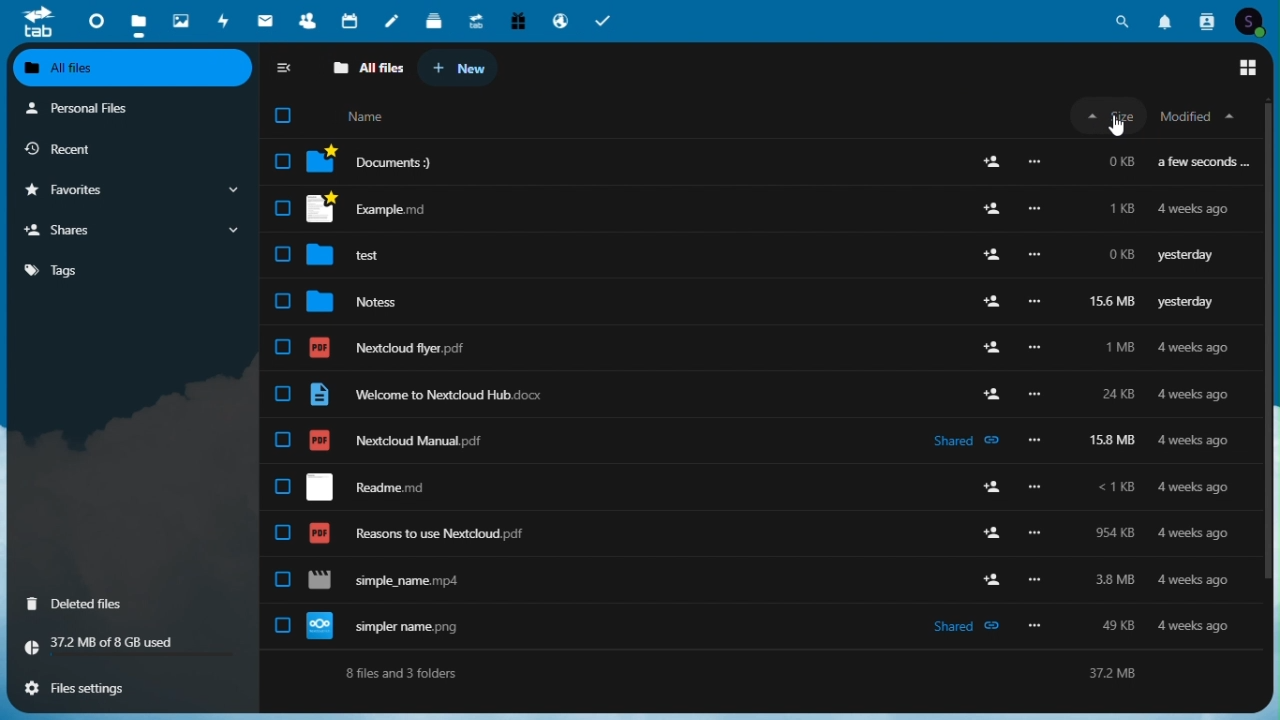 The height and width of the screenshot is (720, 1280). What do you see at coordinates (1270, 339) in the screenshot?
I see `Vertical scrollbar` at bounding box center [1270, 339].